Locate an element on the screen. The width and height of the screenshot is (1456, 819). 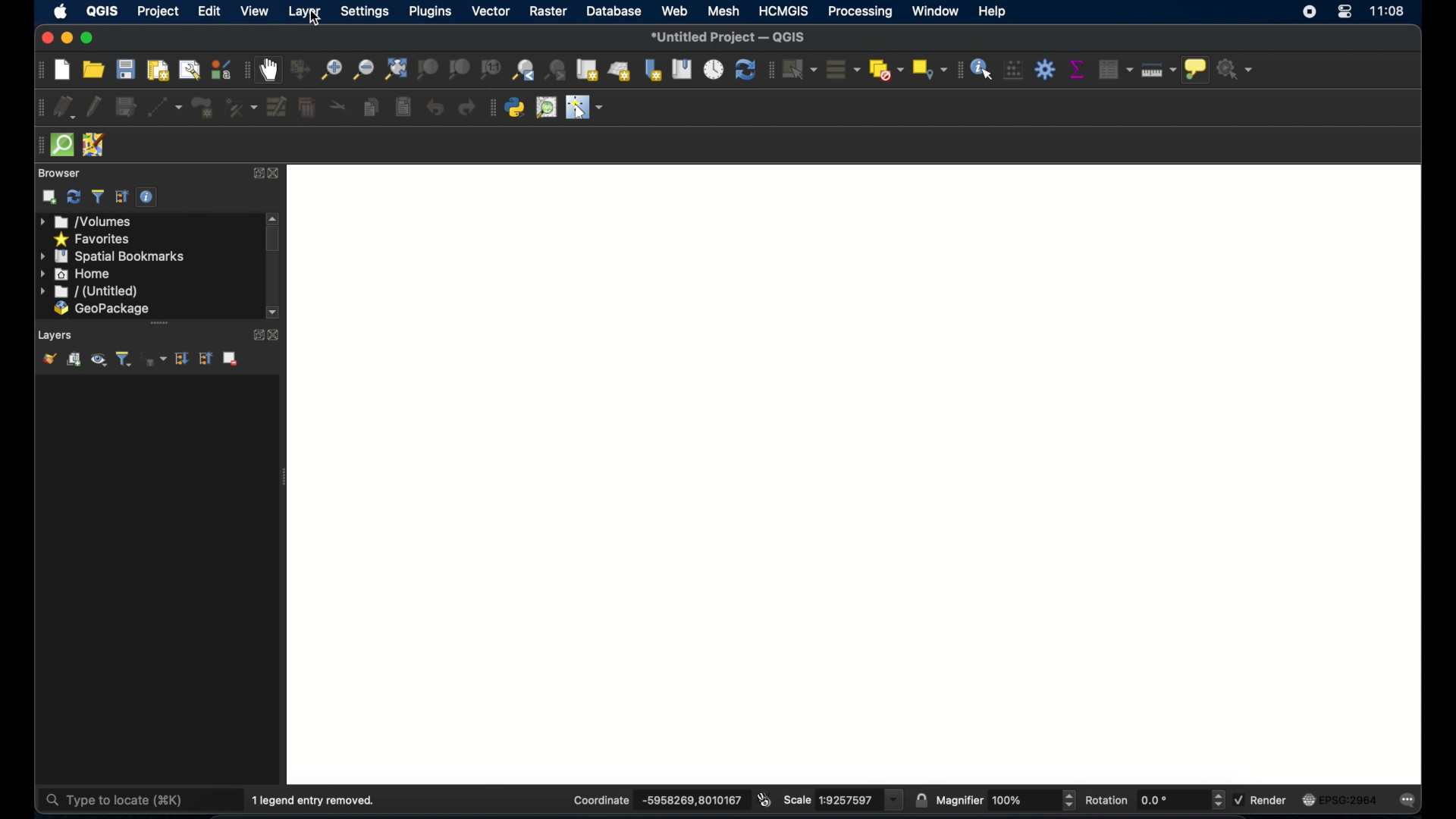
spatial bookmarks is located at coordinates (113, 256).